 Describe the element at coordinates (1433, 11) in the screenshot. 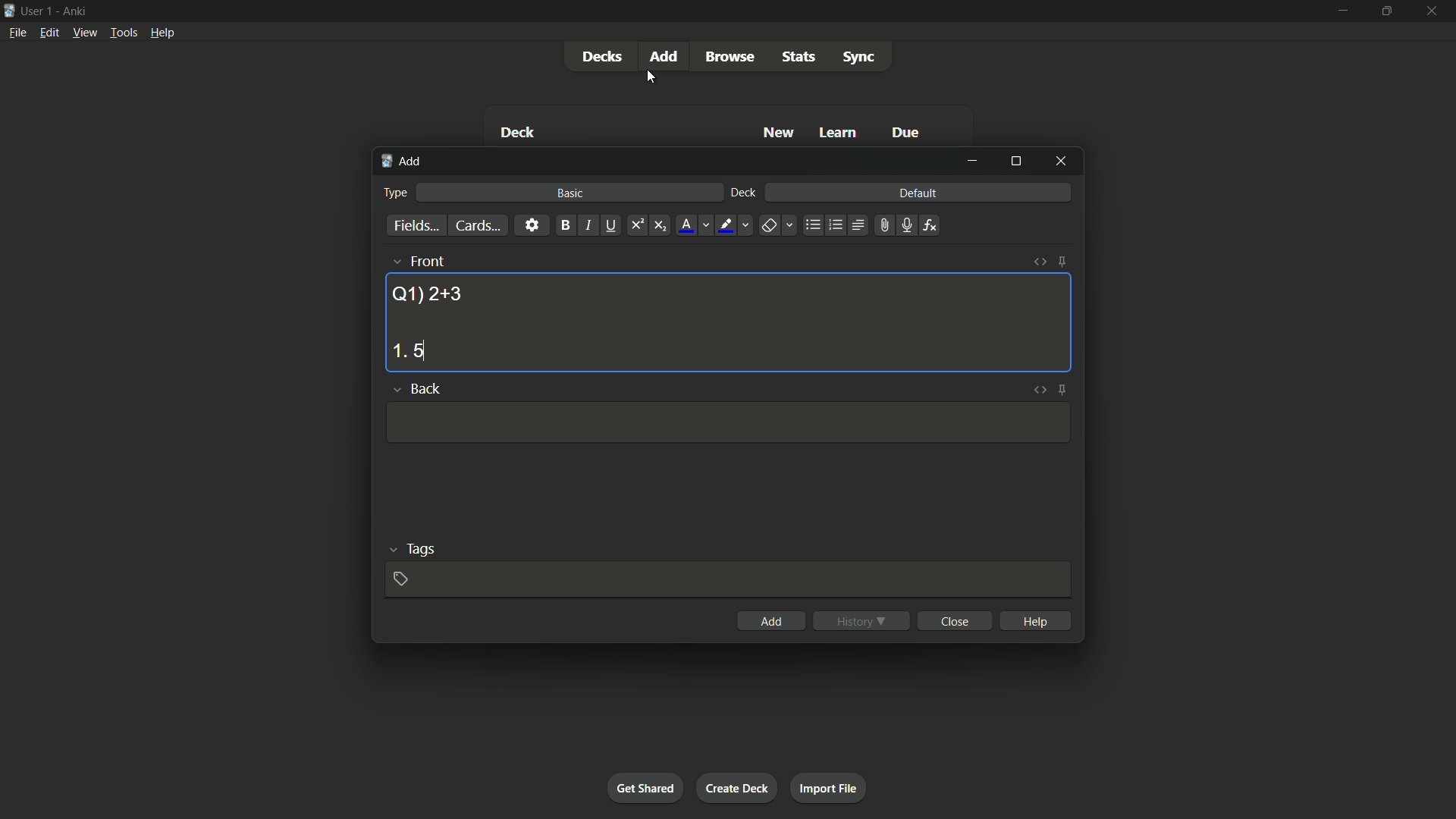

I see `close app` at that location.